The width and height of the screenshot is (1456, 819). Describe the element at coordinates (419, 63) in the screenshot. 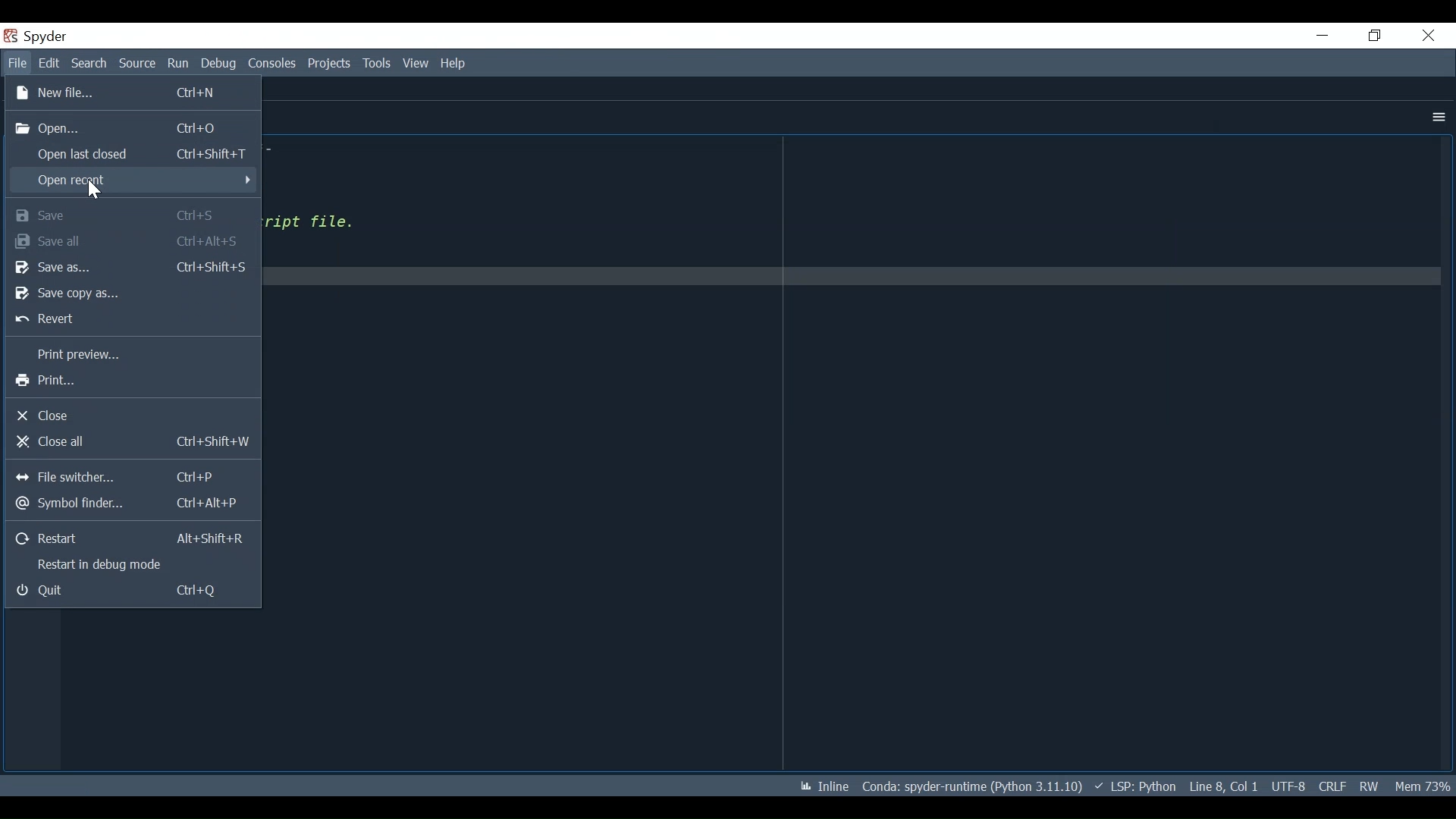

I see `View` at that location.